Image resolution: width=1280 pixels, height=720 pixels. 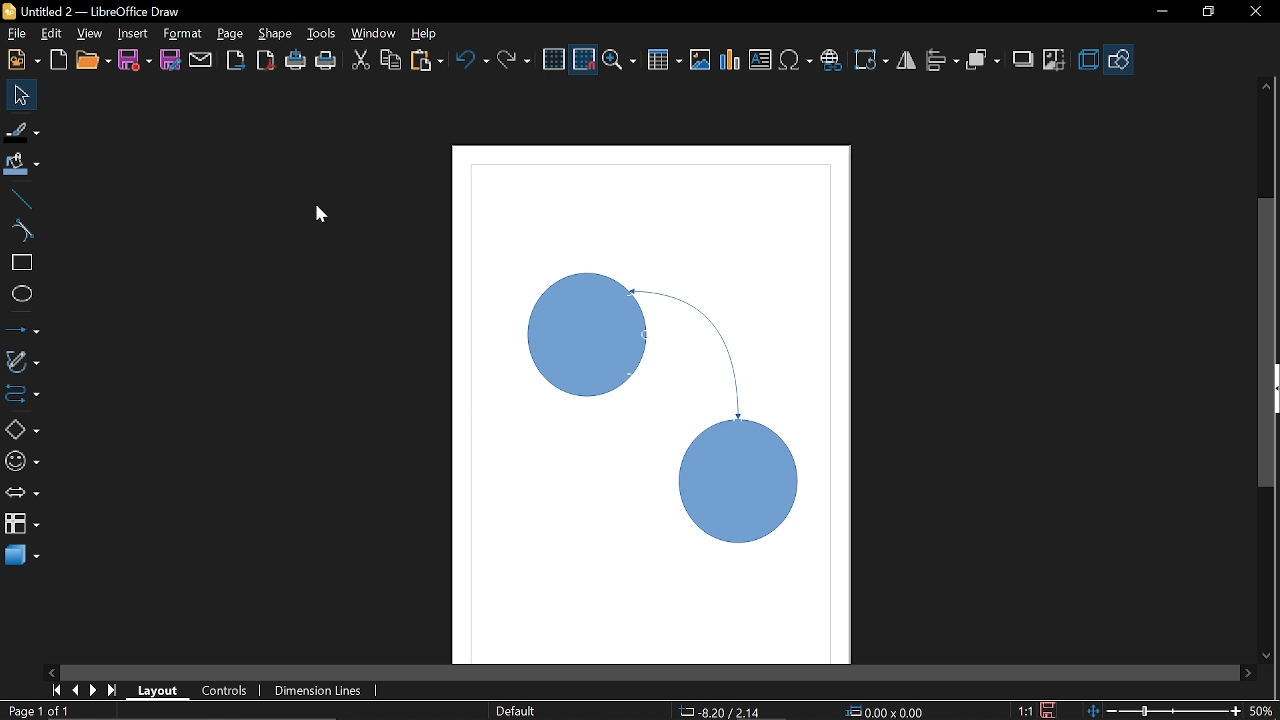 I want to click on New, so click(x=22, y=61).